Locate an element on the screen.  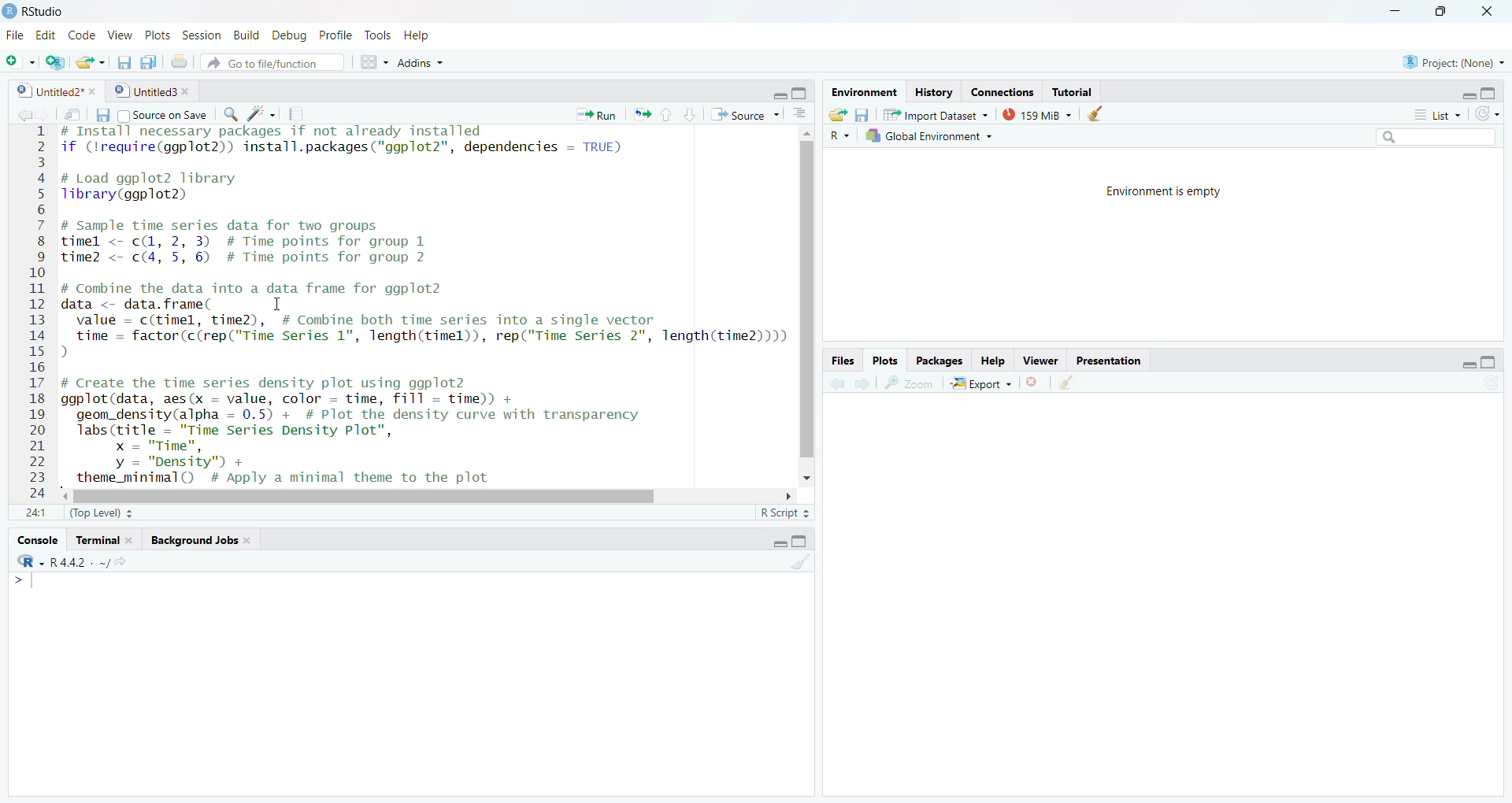
1:1 is located at coordinates (38, 515).